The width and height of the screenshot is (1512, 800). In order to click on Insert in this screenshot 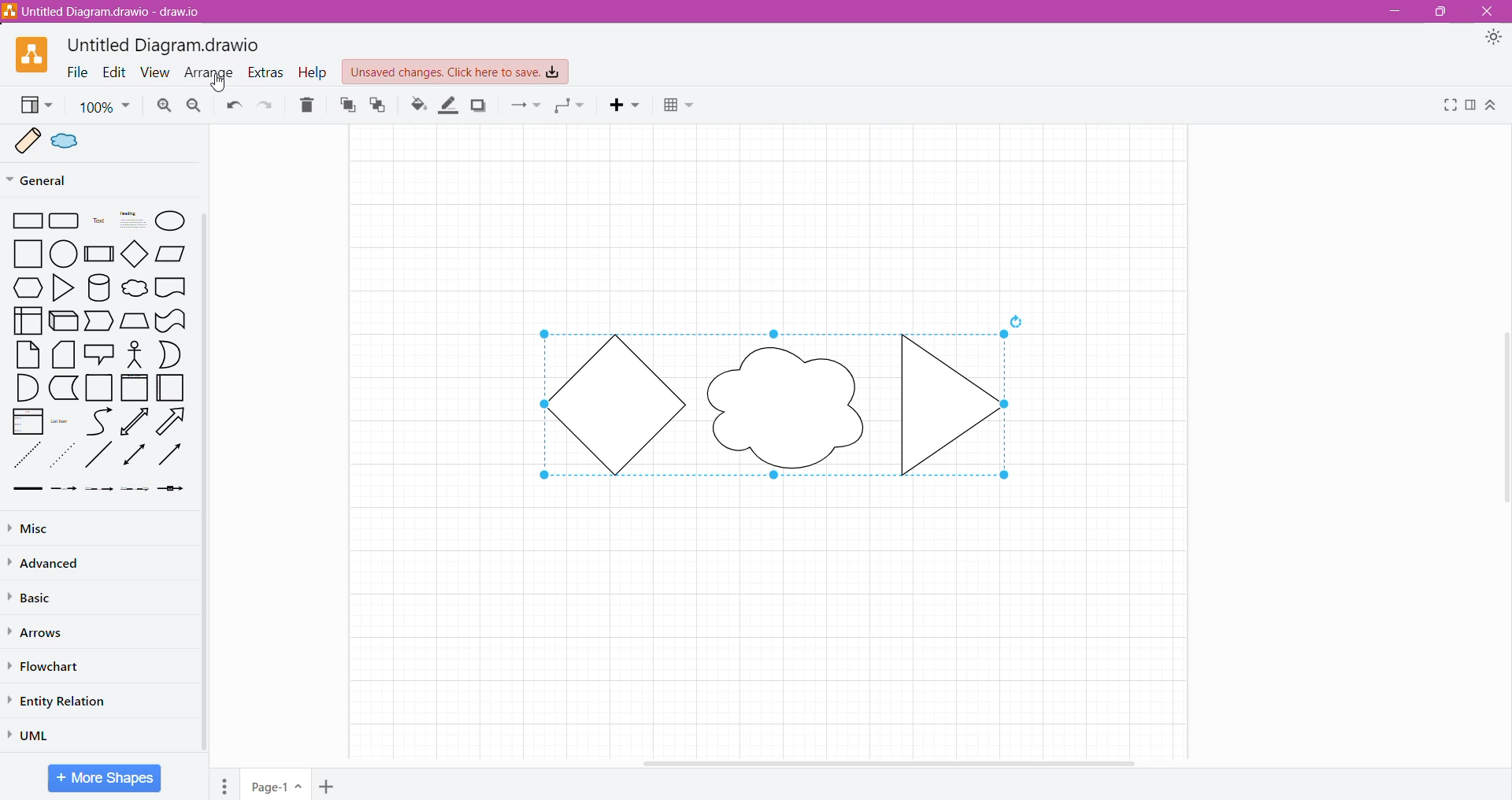, I will do `click(628, 107)`.